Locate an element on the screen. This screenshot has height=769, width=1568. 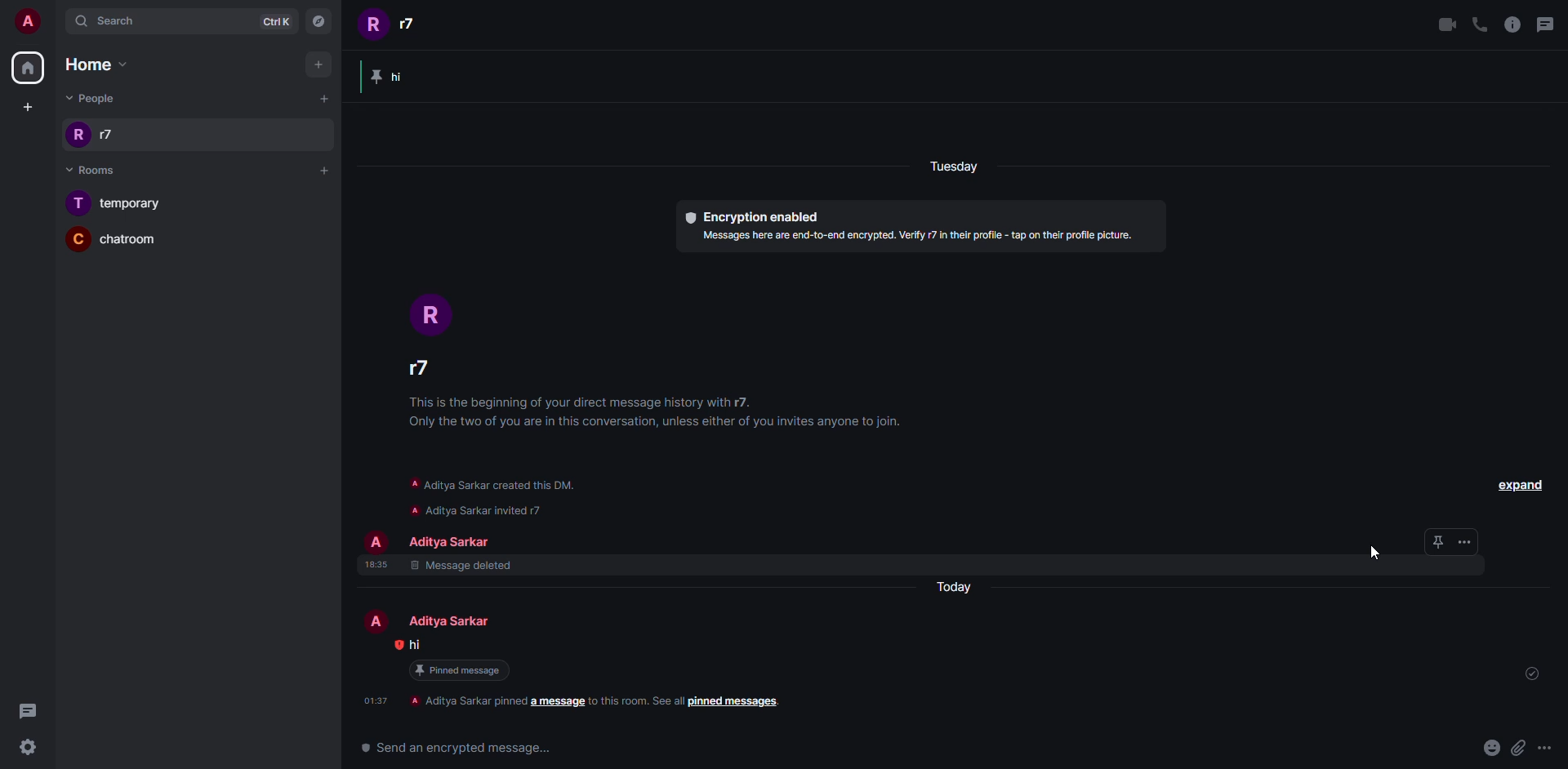
people is located at coordinates (451, 541).